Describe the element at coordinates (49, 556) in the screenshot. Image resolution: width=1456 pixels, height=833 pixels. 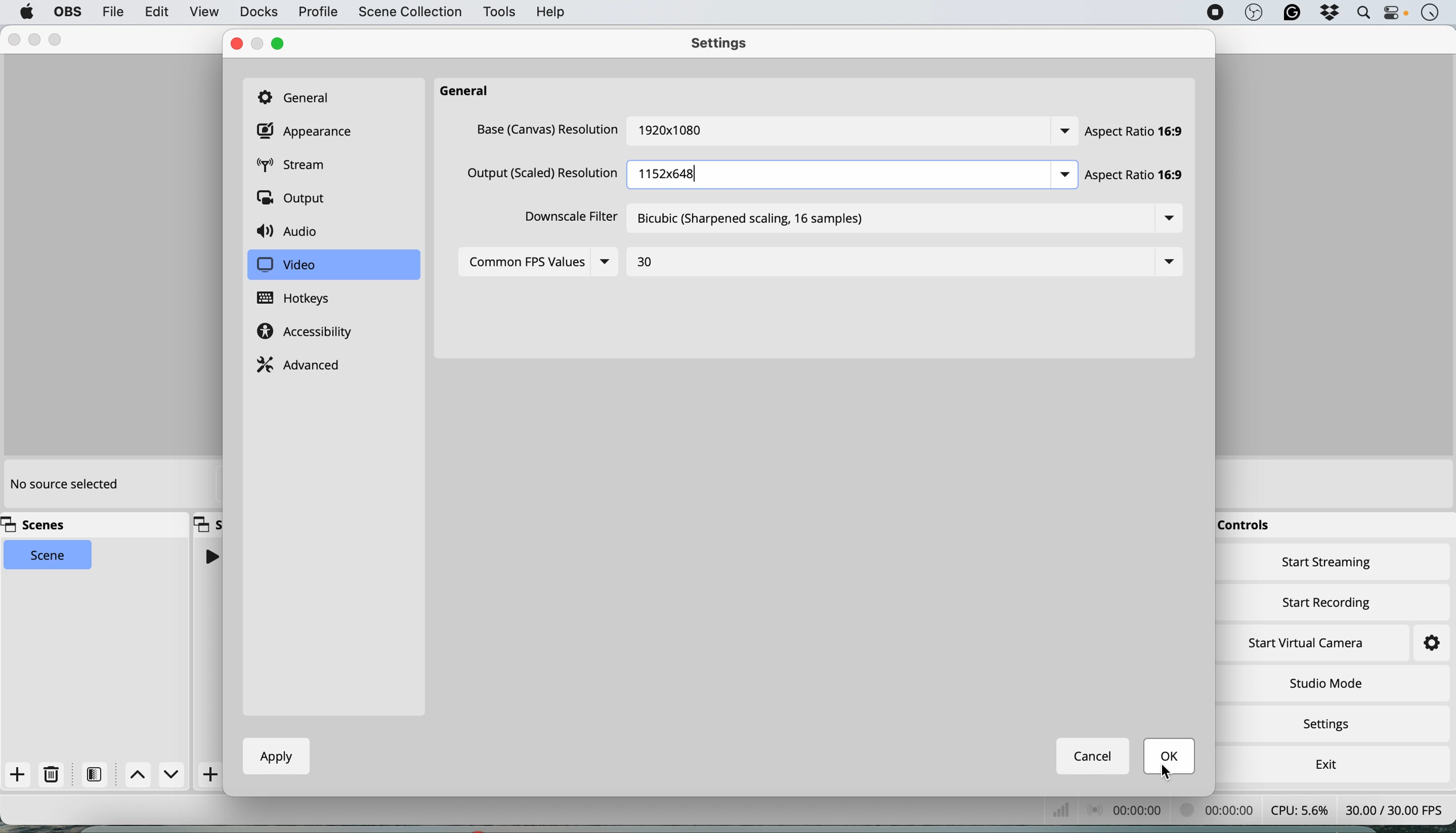
I see `scene` at that location.